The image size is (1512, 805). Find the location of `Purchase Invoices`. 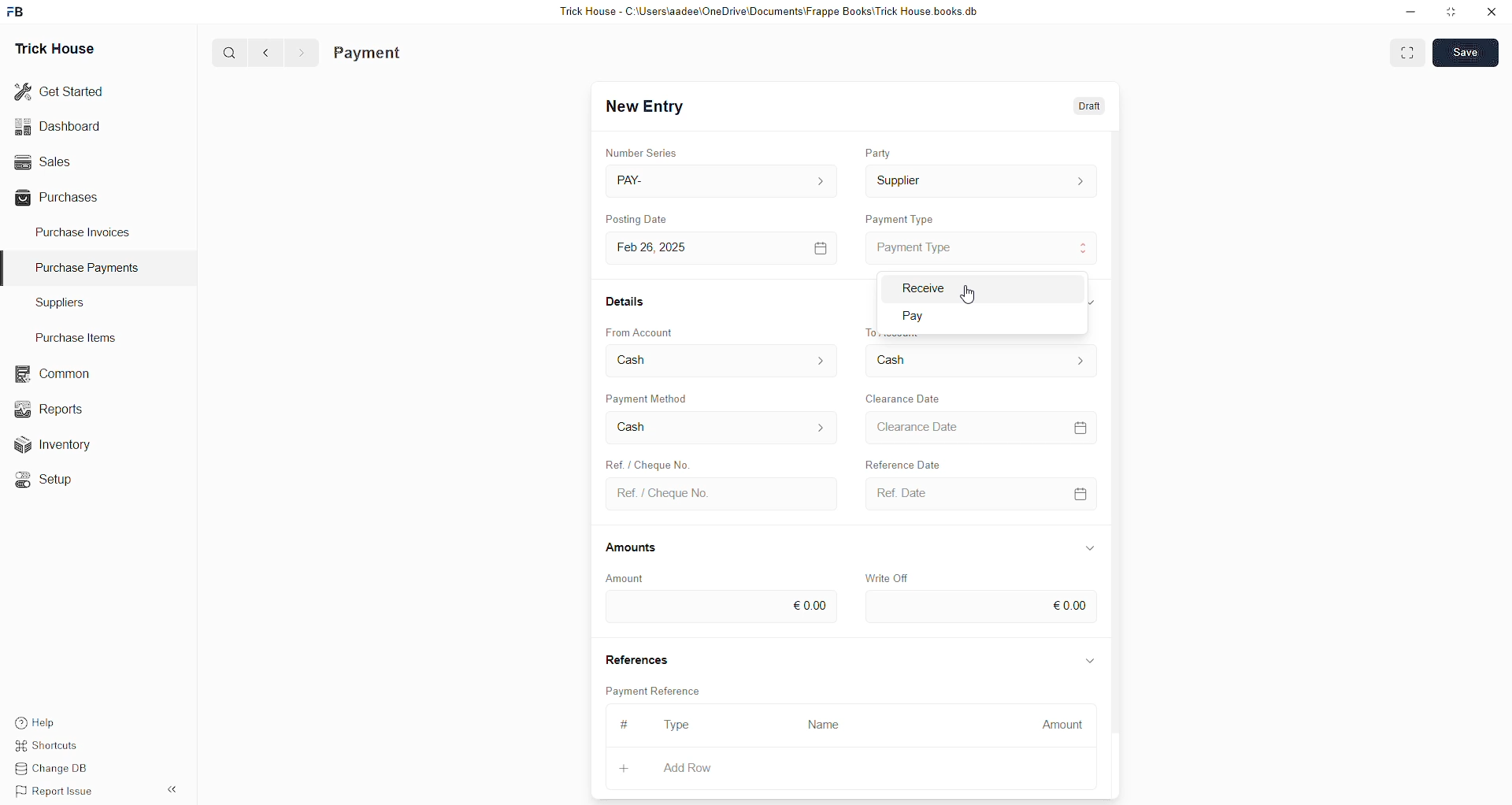

Purchase Invoices is located at coordinates (81, 235).